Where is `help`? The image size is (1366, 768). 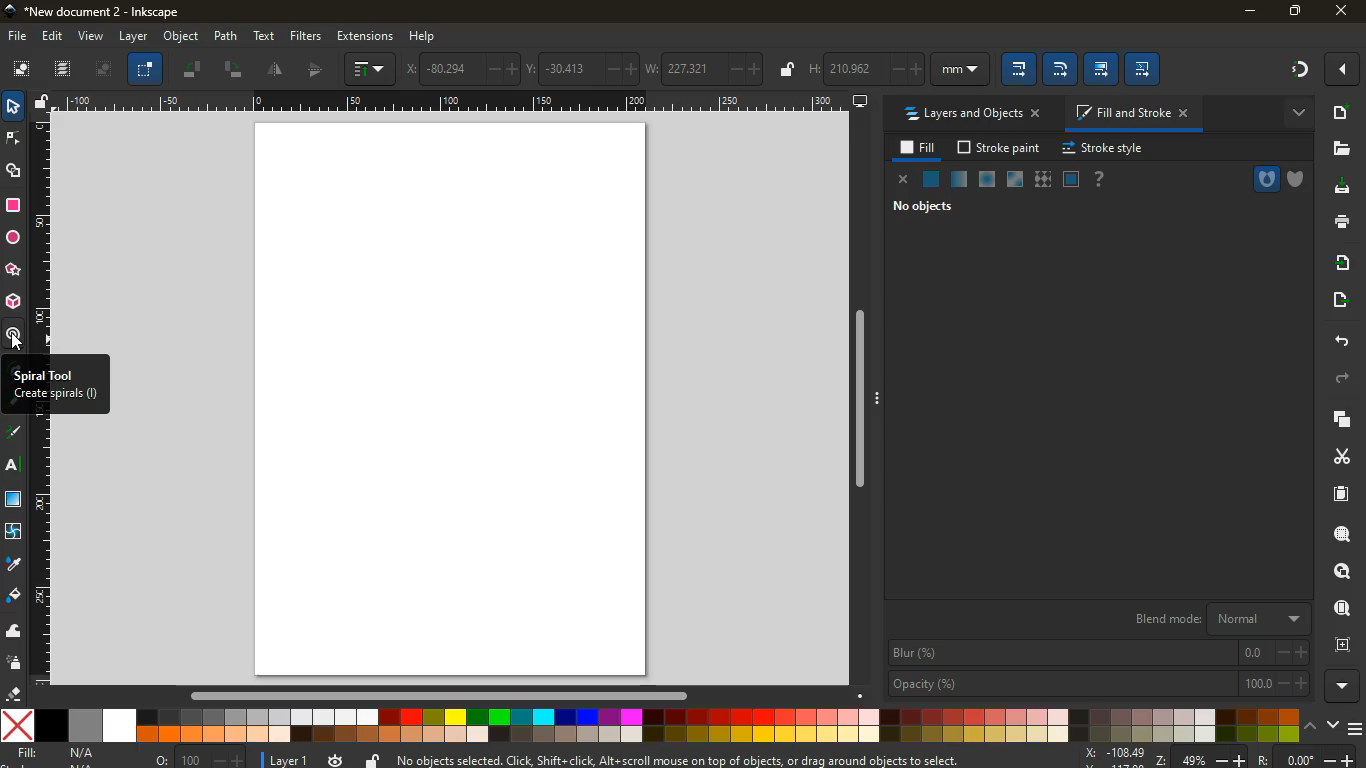
help is located at coordinates (431, 35).